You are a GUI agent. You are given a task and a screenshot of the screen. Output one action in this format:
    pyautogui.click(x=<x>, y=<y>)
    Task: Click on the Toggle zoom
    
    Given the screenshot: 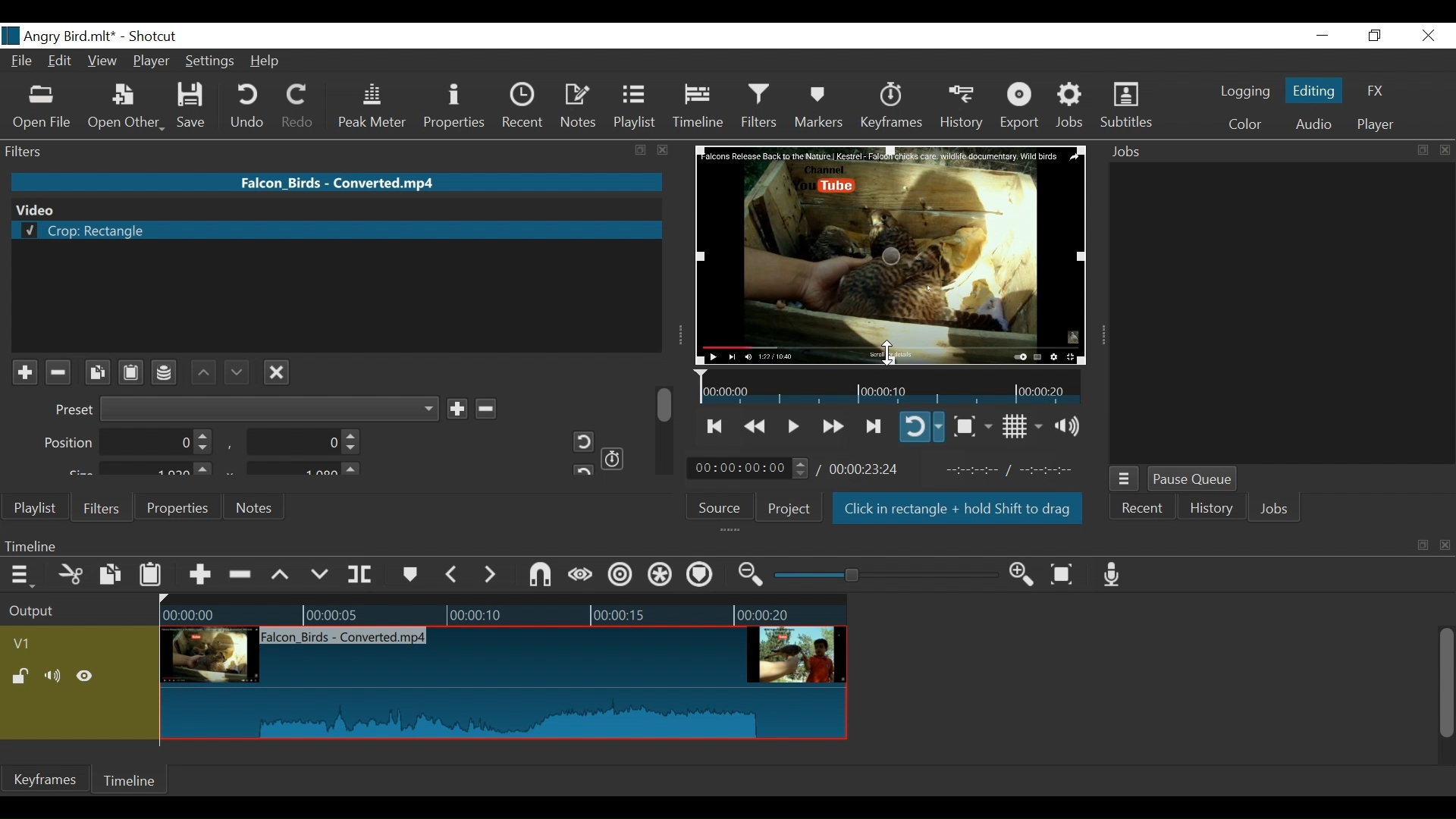 What is the action you would take?
    pyautogui.click(x=972, y=426)
    